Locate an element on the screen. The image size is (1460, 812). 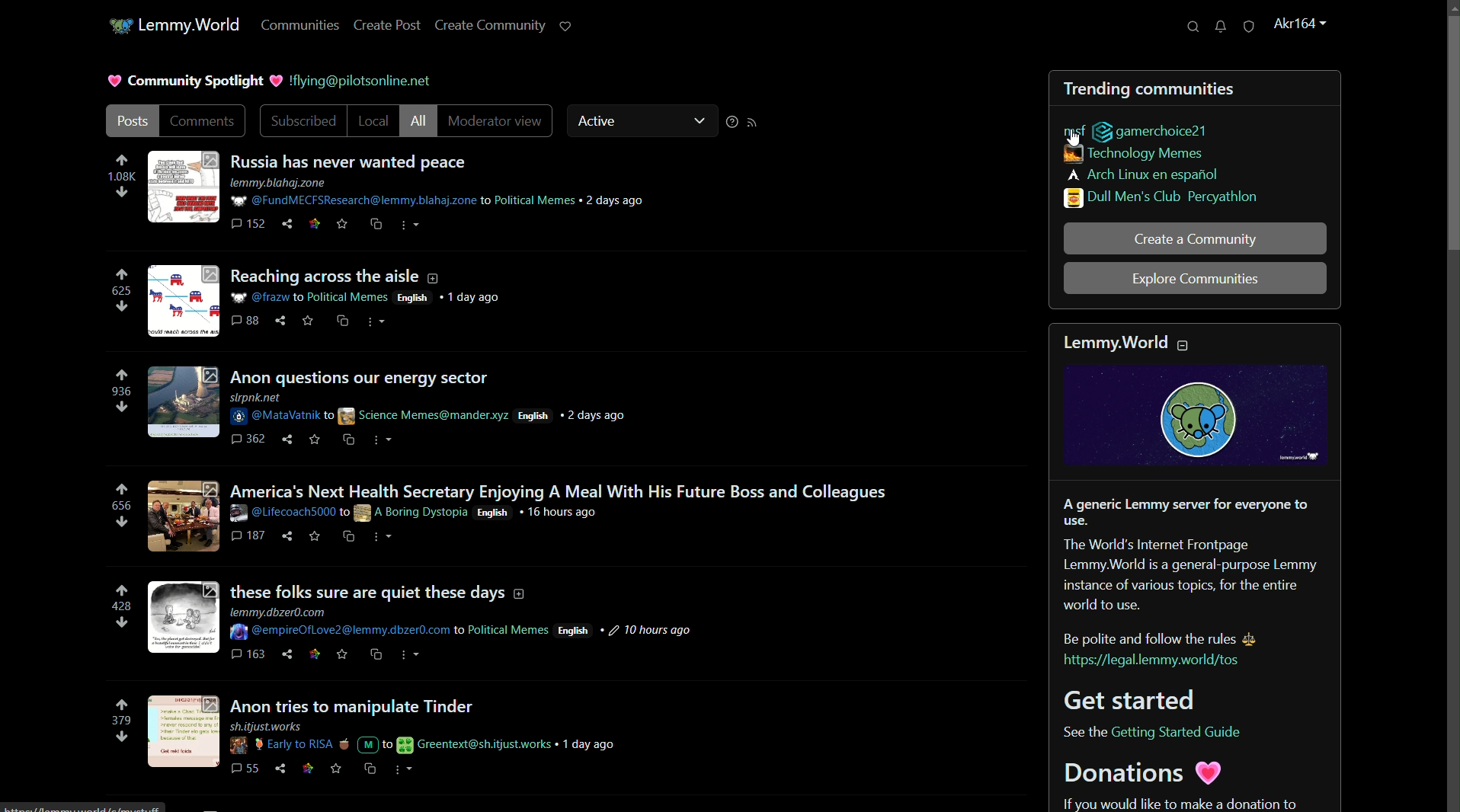
post-5 is located at coordinates (381, 590).